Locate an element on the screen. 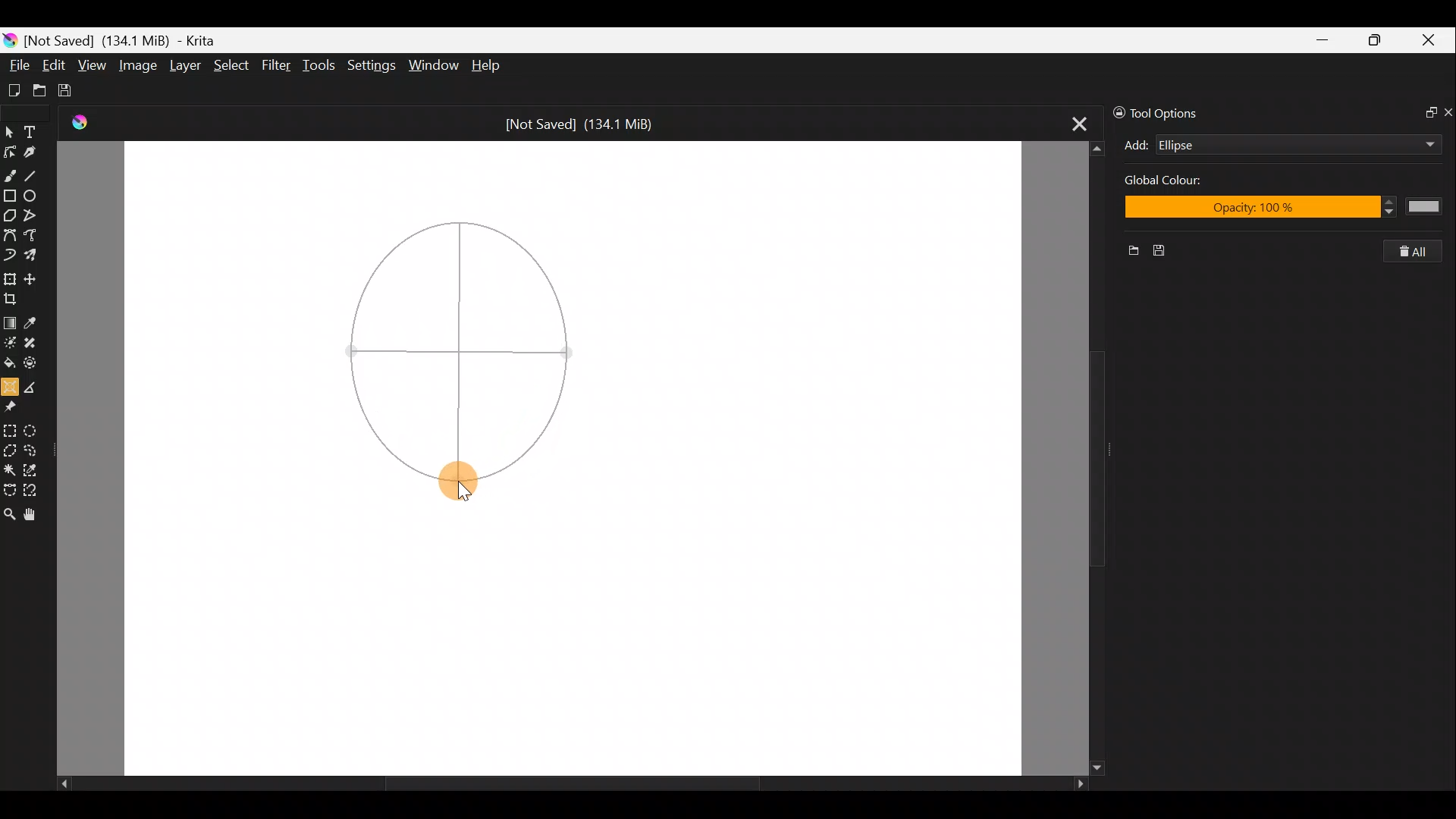 This screenshot has width=1456, height=819. Close tab is located at coordinates (1071, 124).